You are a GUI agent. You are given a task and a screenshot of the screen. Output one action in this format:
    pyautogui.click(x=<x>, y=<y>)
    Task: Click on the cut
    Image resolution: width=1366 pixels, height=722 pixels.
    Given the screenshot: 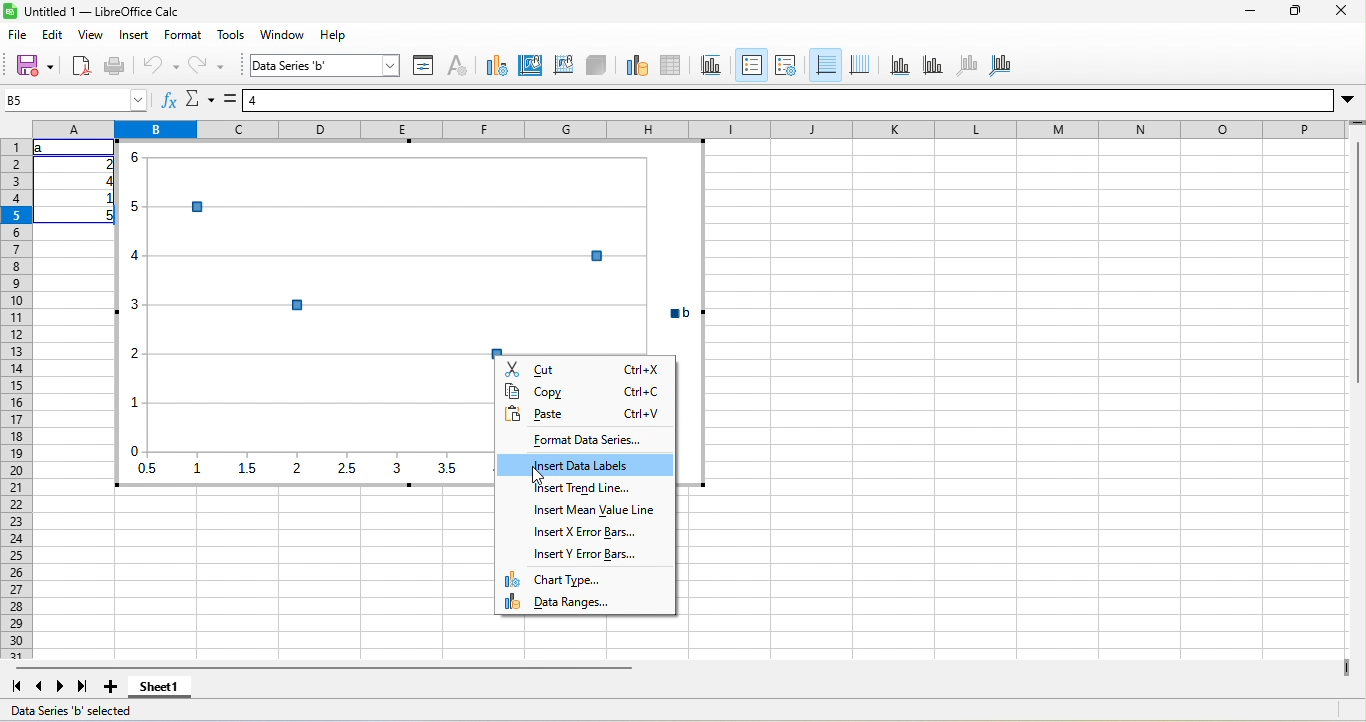 What is the action you would take?
    pyautogui.click(x=585, y=368)
    